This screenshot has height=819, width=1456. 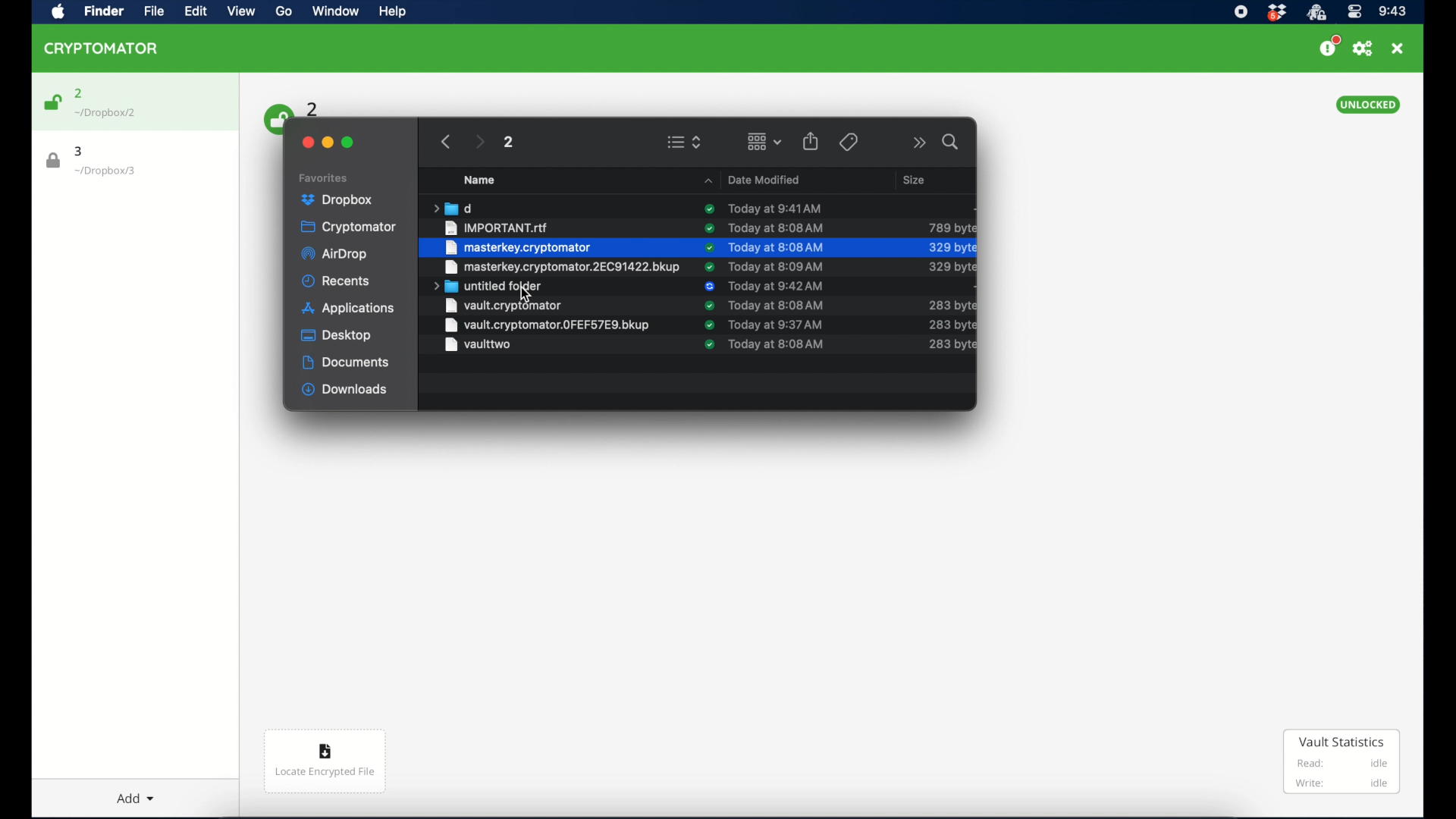 I want to click on size, so click(x=952, y=325).